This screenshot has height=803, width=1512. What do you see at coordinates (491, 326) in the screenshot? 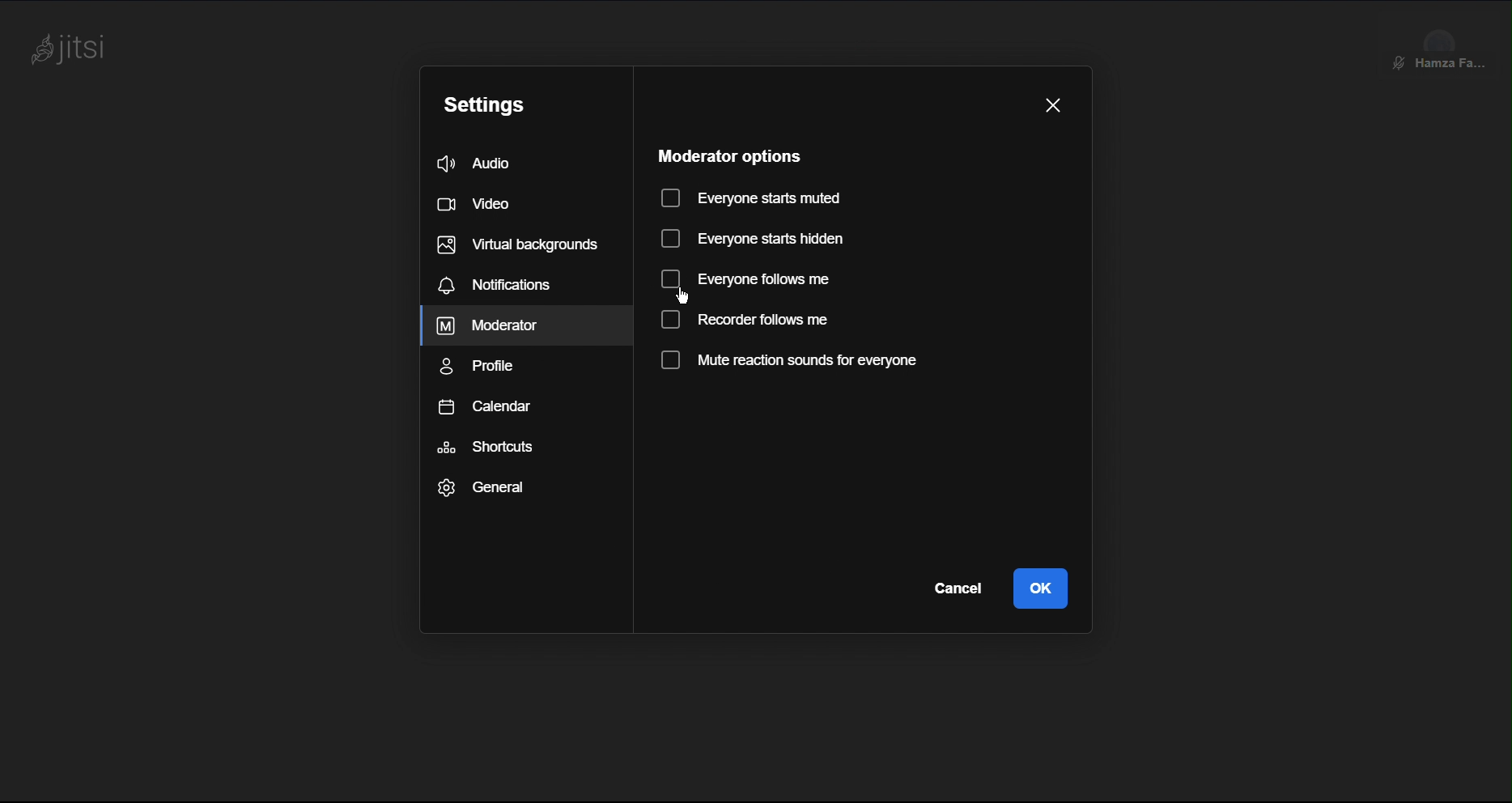
I see `Moderator` at bounding box center [491, 326].